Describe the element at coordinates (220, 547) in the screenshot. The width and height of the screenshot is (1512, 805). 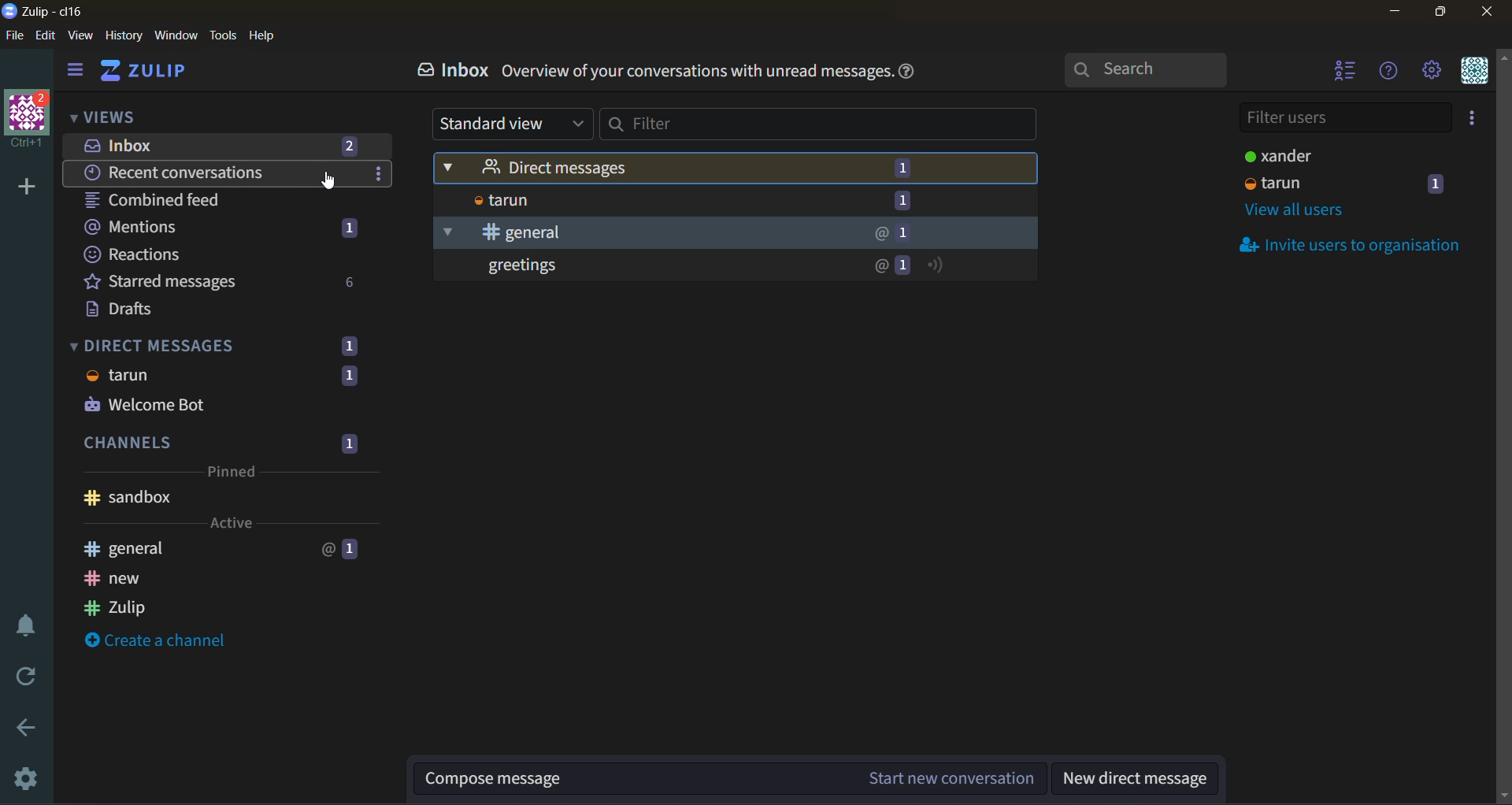
I see `general` at that location.